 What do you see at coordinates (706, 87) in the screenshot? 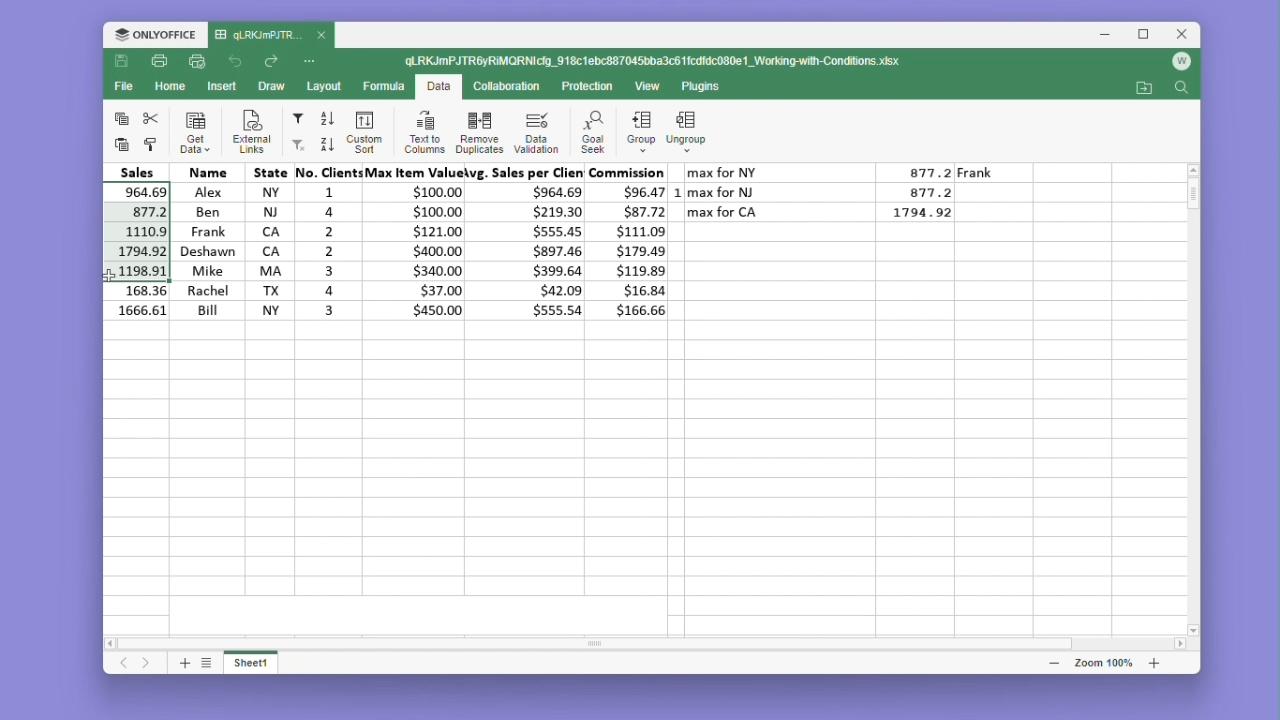
I see `Plugins ` at bounding box center [706, 87].